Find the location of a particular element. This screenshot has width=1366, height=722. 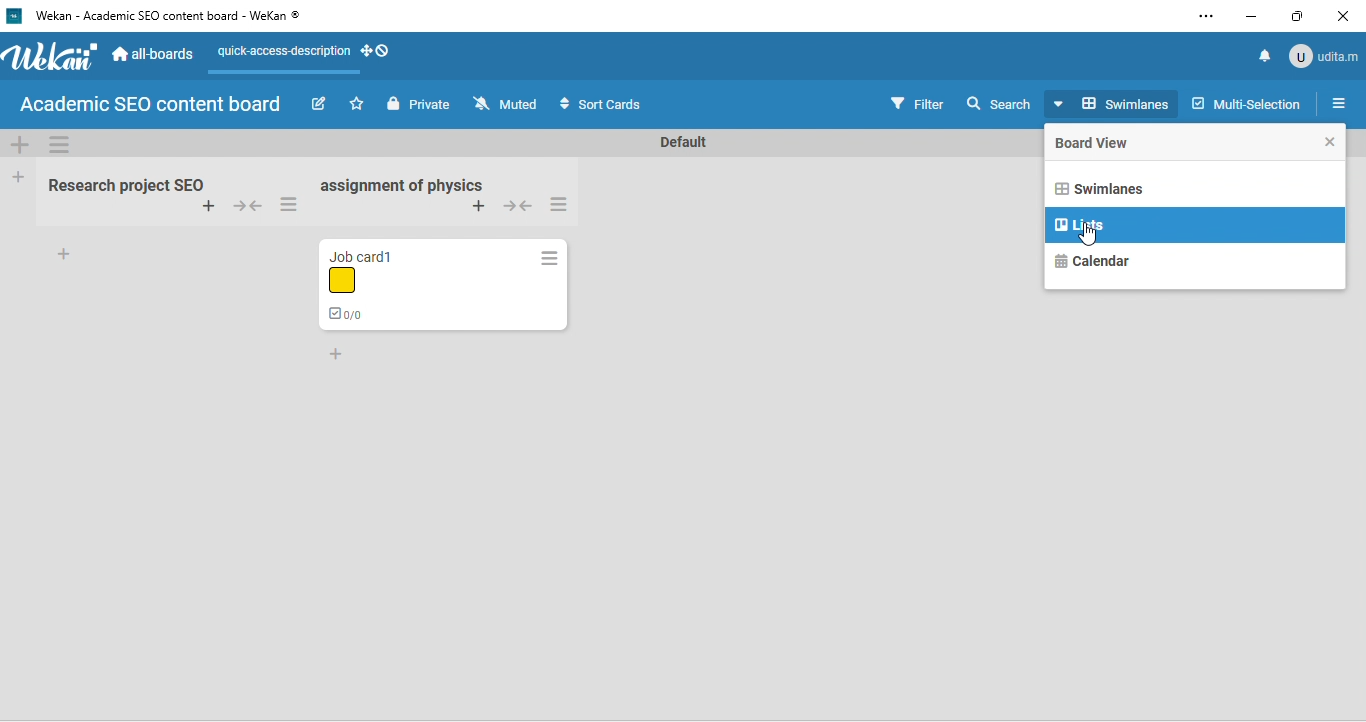

add swimlane is located at coordinates (23, 145).